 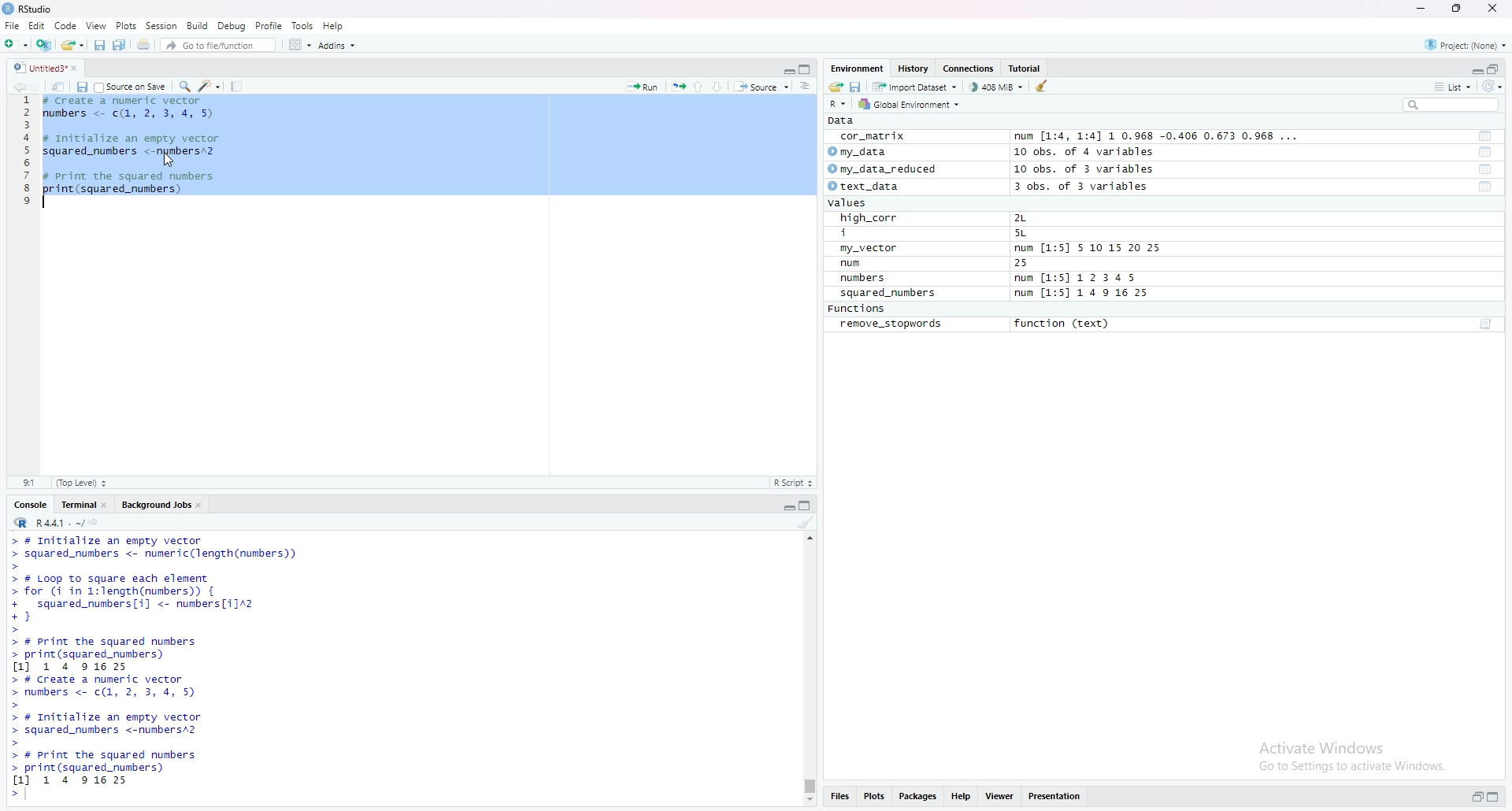 What do you see at coordinates (718, 86) in the screenshot?
I see `down` at bounding box center [718, 86].